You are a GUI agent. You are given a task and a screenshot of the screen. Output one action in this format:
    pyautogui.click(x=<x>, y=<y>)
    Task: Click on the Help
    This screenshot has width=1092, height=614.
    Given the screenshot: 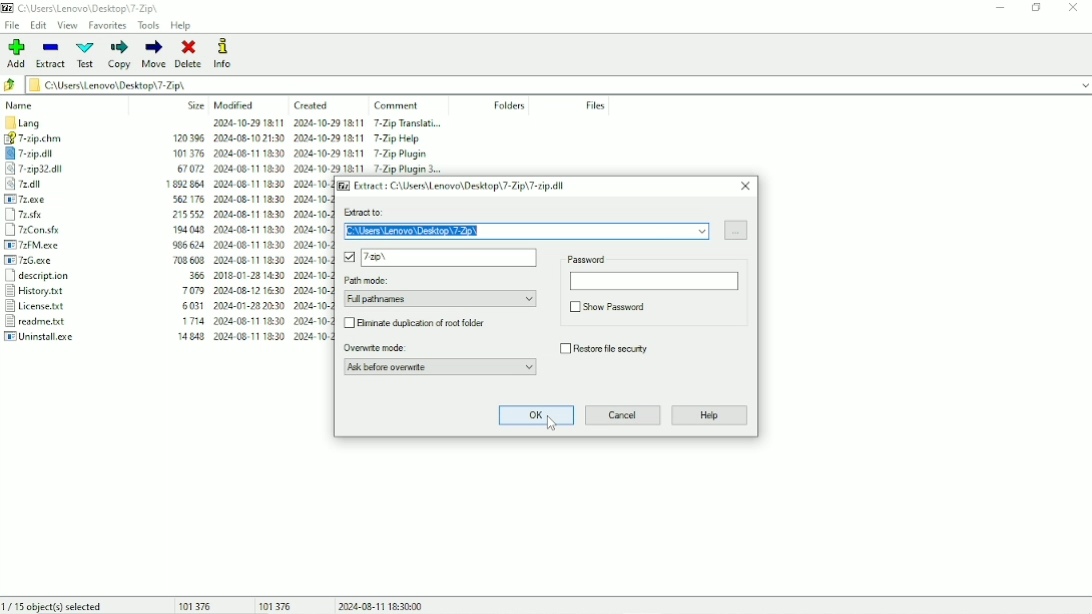 What is the action you would take?
    pyautogui.click(x=711, y=416)
    